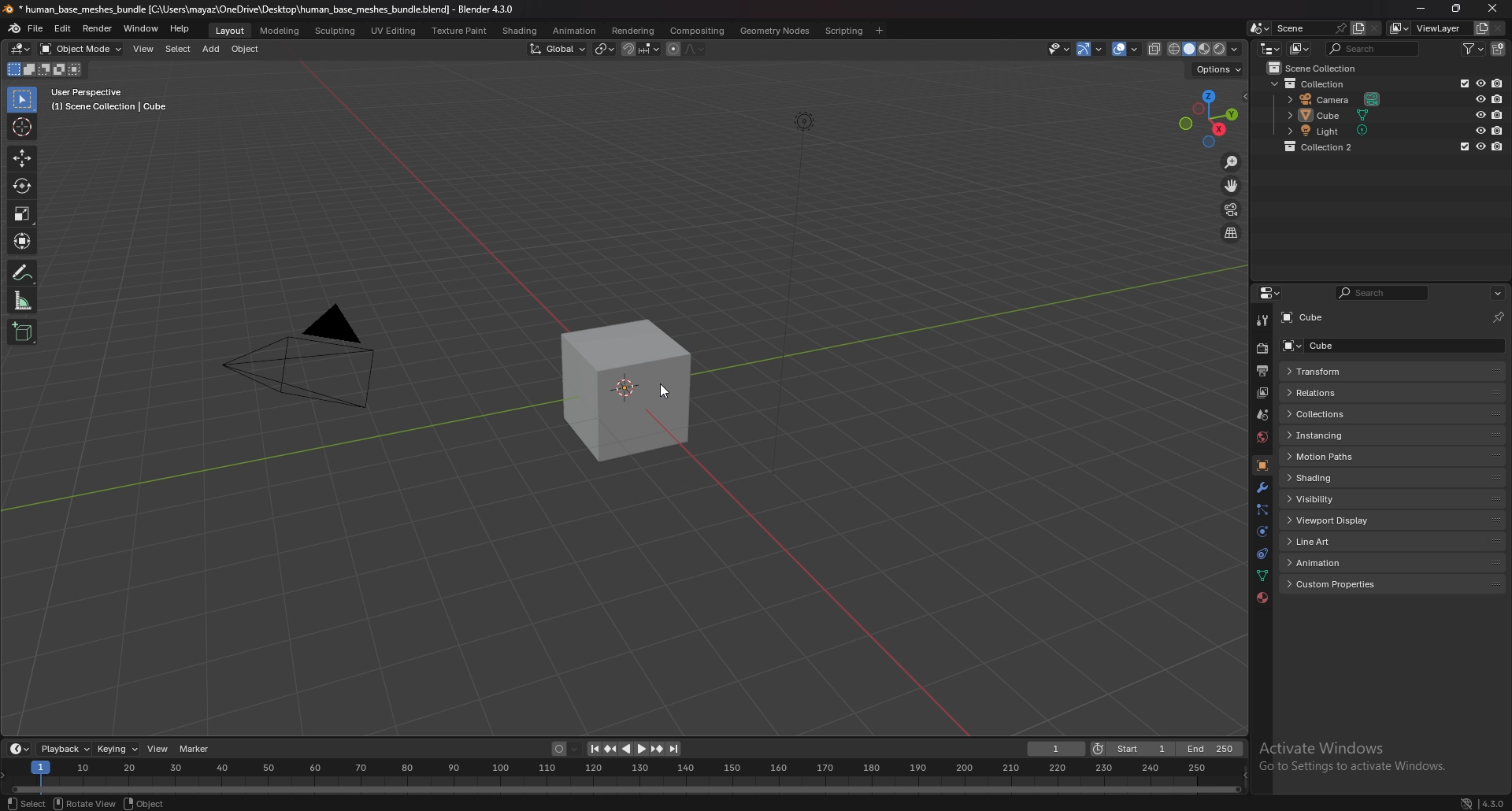 The image size is (1512, 811). I want to click on cube, so click(1340, 345).